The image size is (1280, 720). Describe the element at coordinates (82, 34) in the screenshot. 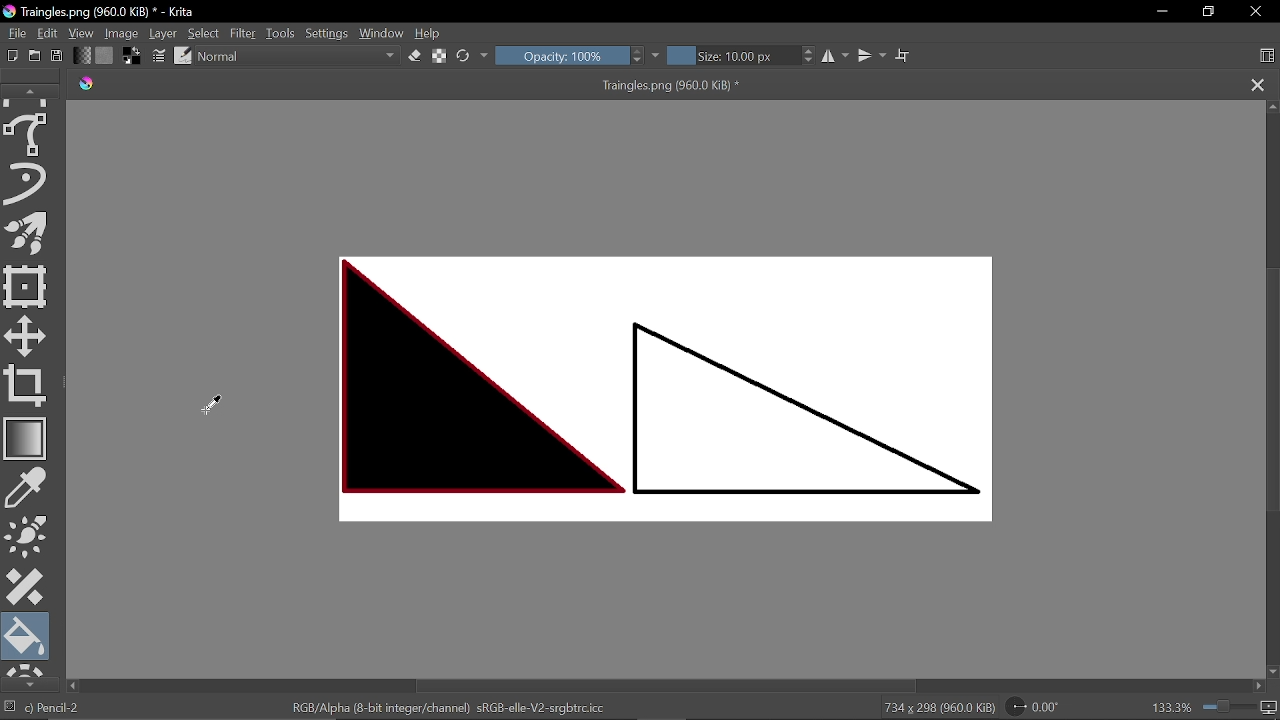

I see `View` at that location.